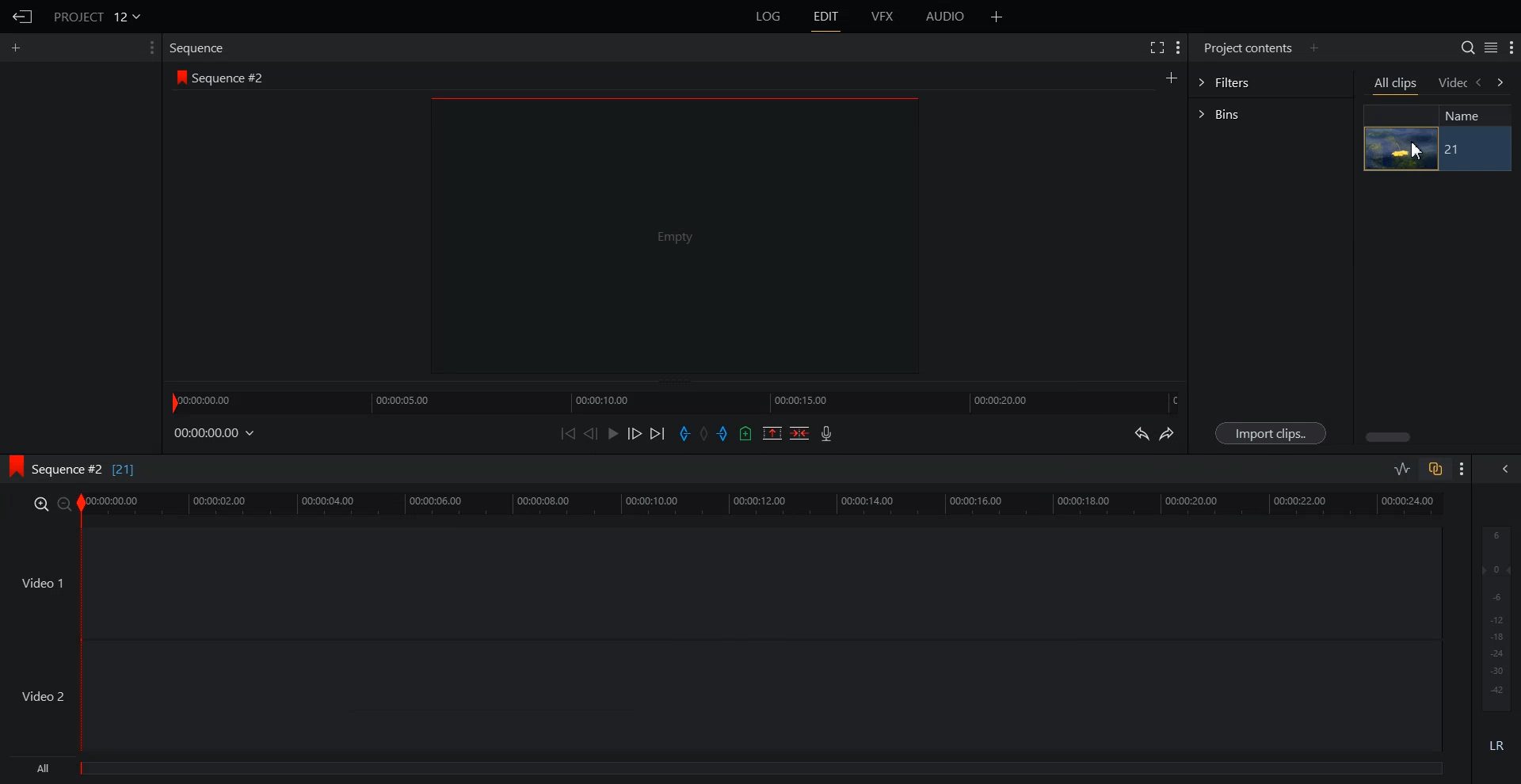 The image size is (1521, 784). Describe the element at coordinates (684, 240) in the screenshot. I see `Video Preview` at that location.